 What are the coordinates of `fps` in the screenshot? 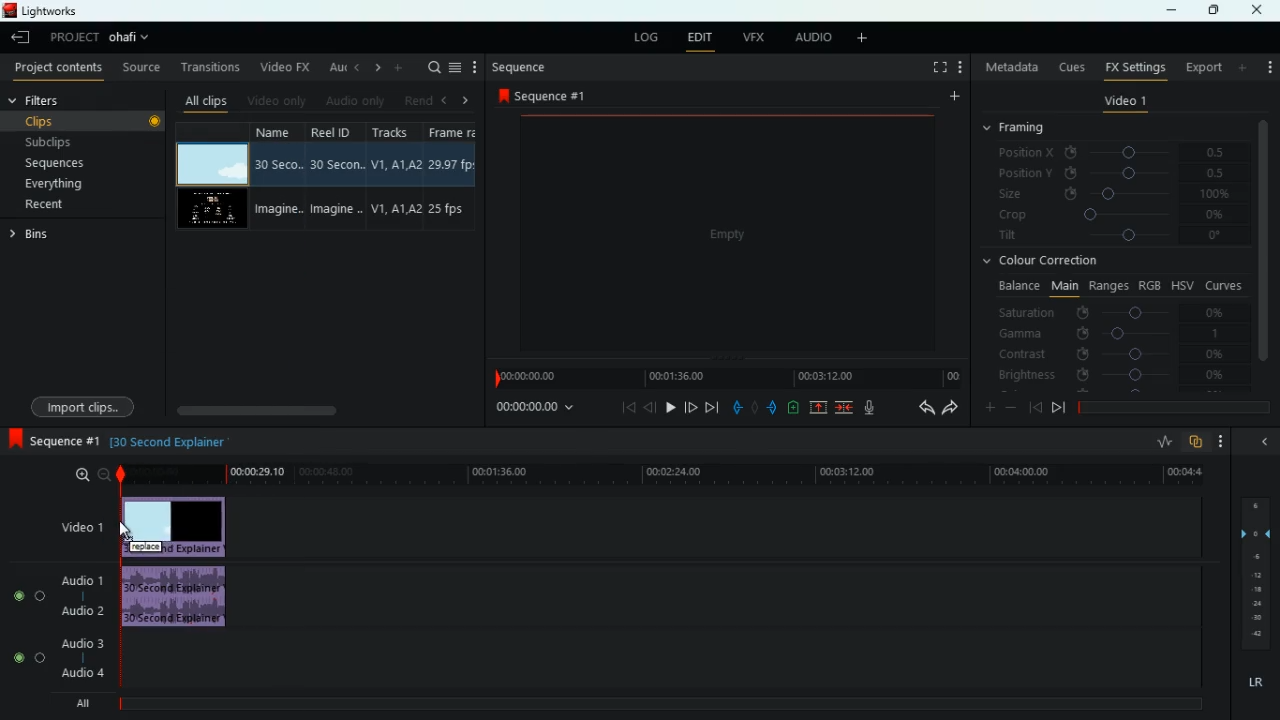 It's located at (450, 176).